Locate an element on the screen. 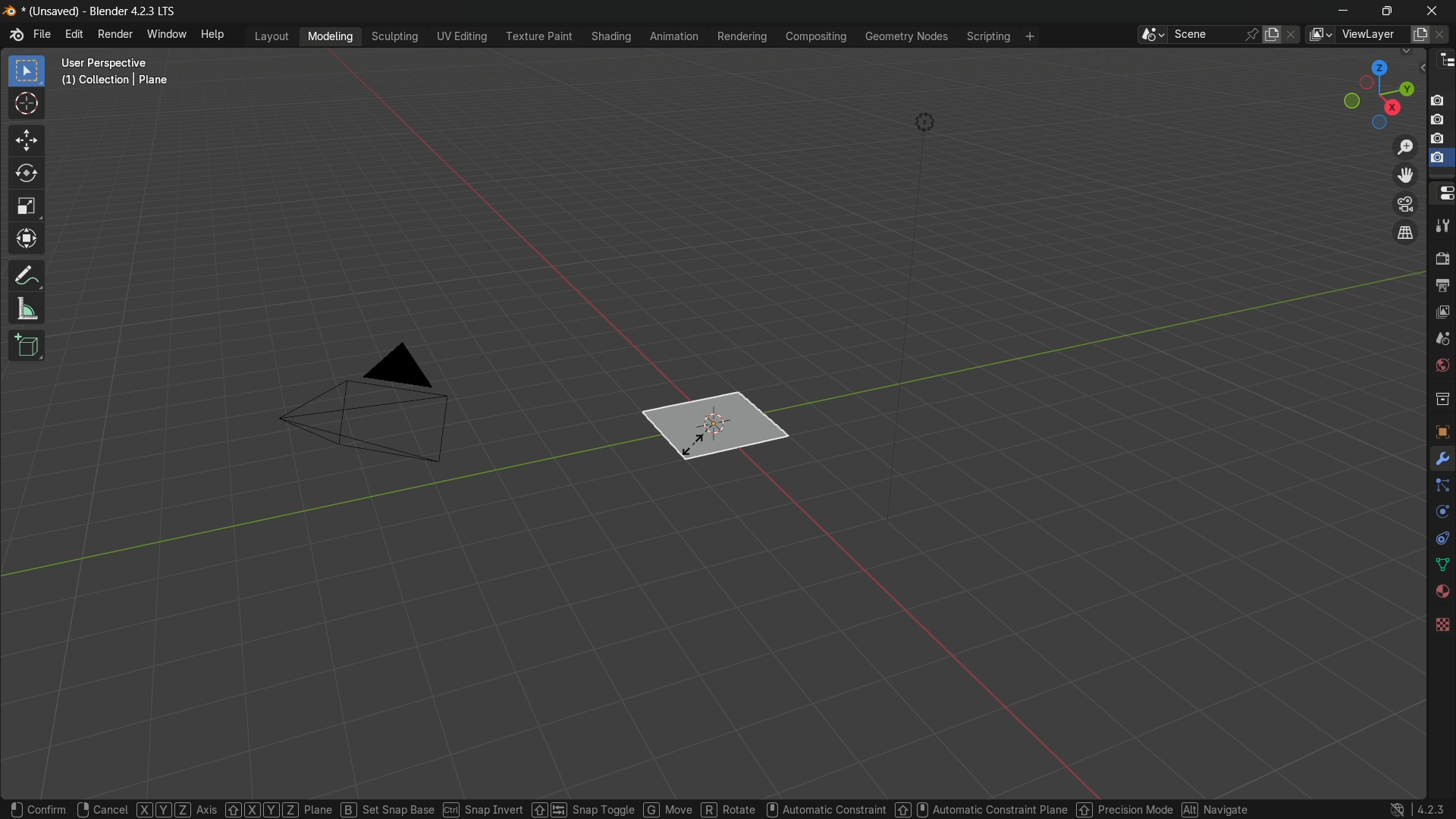  geometry nodes is located at coordinates (906, 37).